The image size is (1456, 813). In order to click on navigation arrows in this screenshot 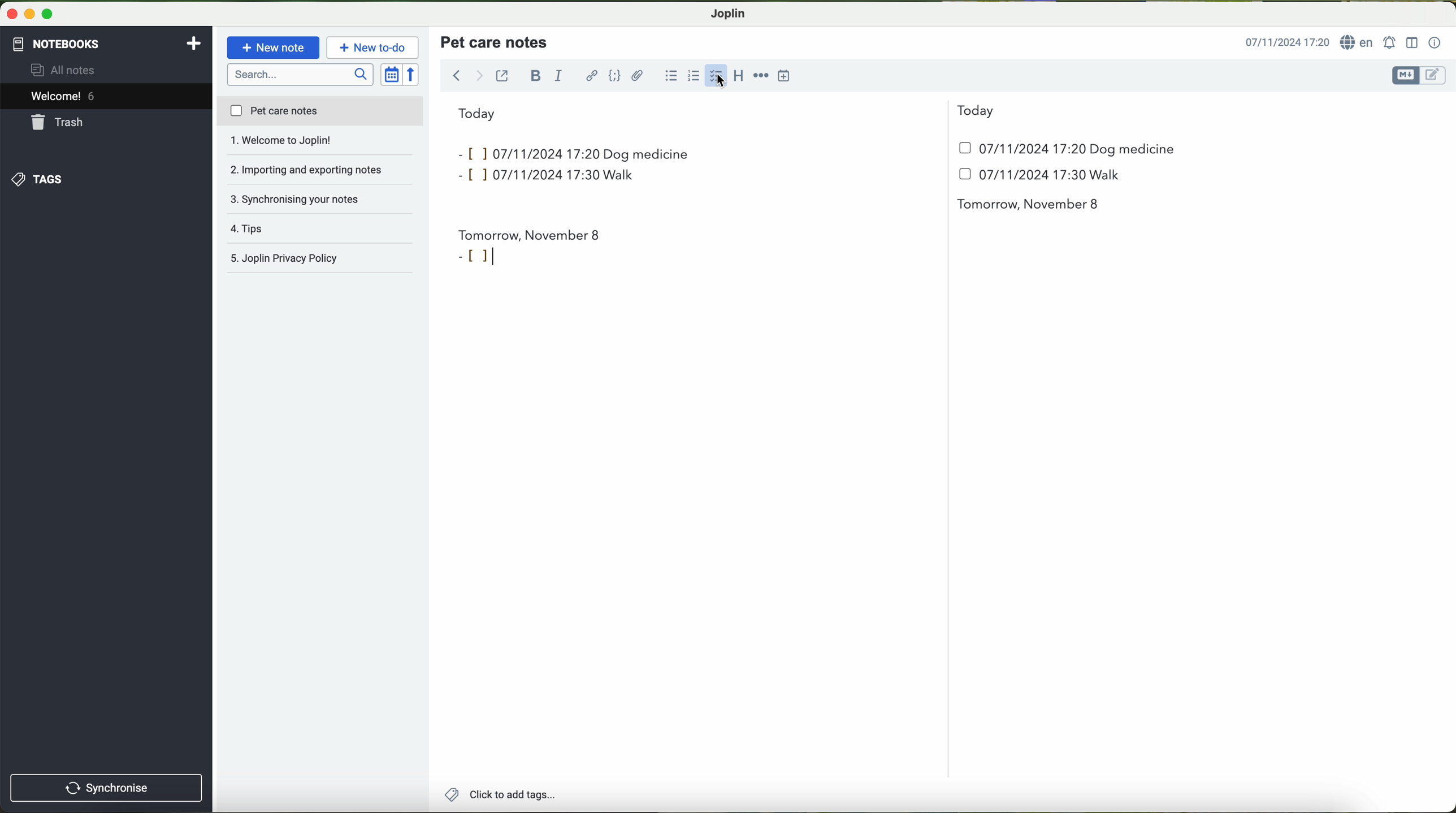, I will do `click(466, 75)`.